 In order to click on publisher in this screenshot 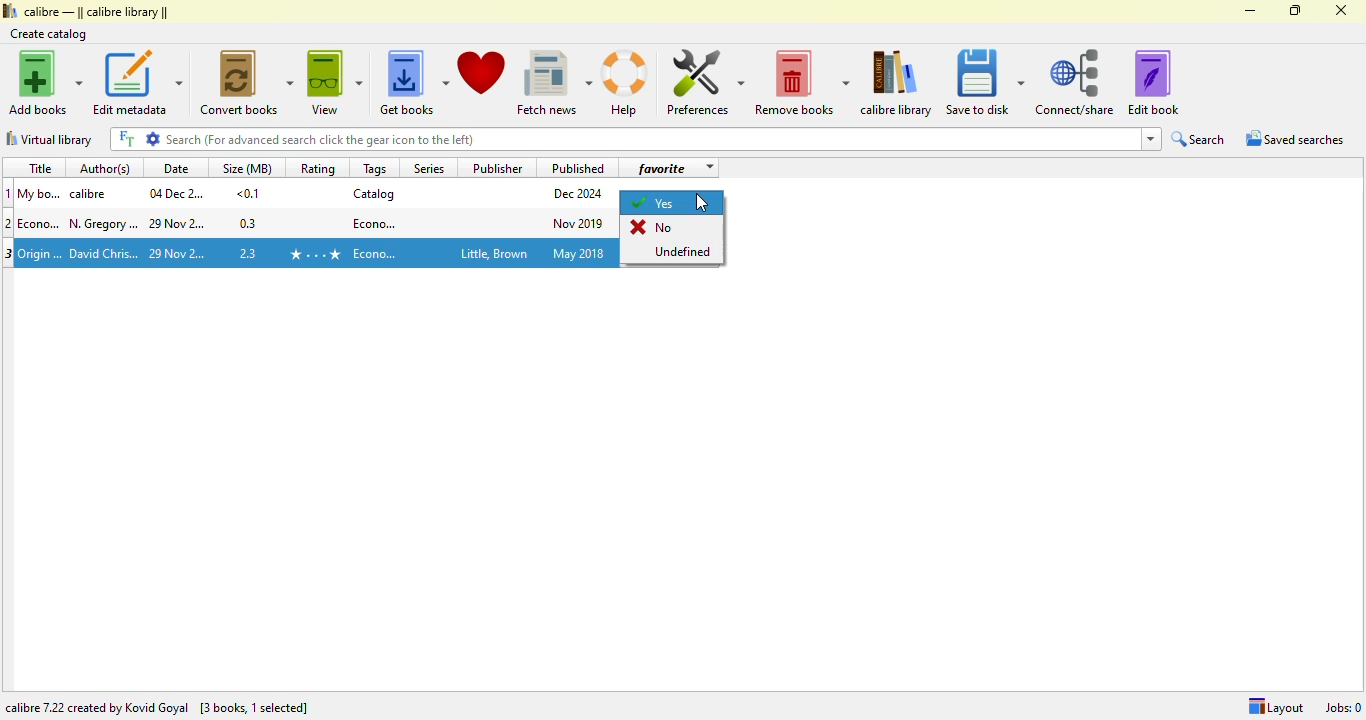, I will do `click(492, 255)`.